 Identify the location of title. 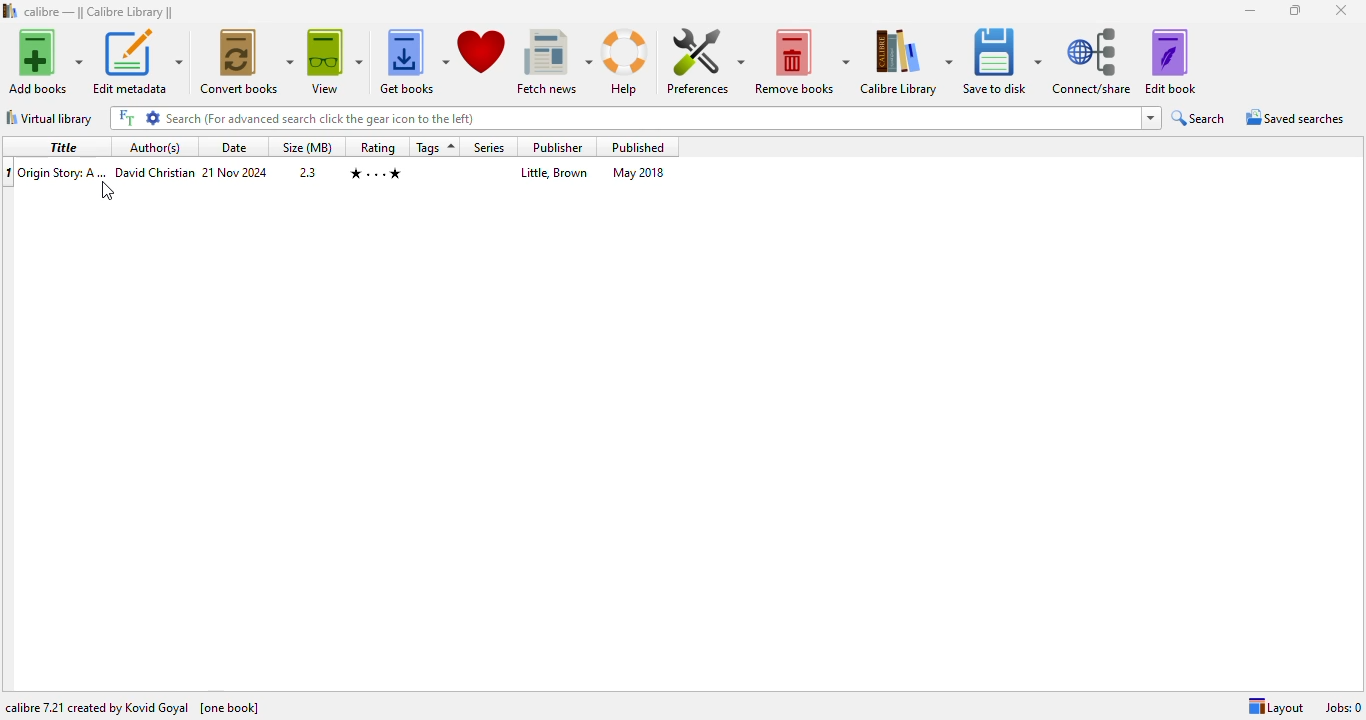
(61, 148).